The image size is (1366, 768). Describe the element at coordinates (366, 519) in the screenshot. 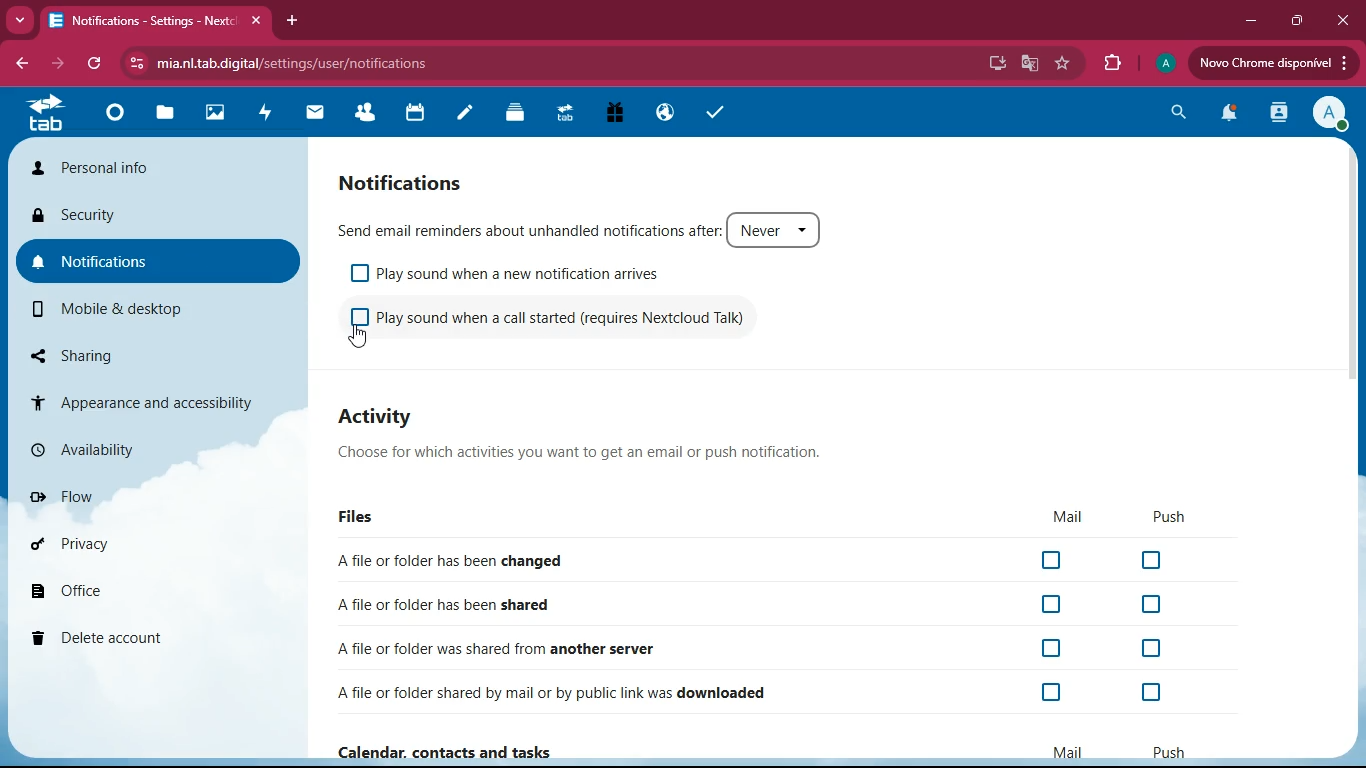

I see `files` at that location.